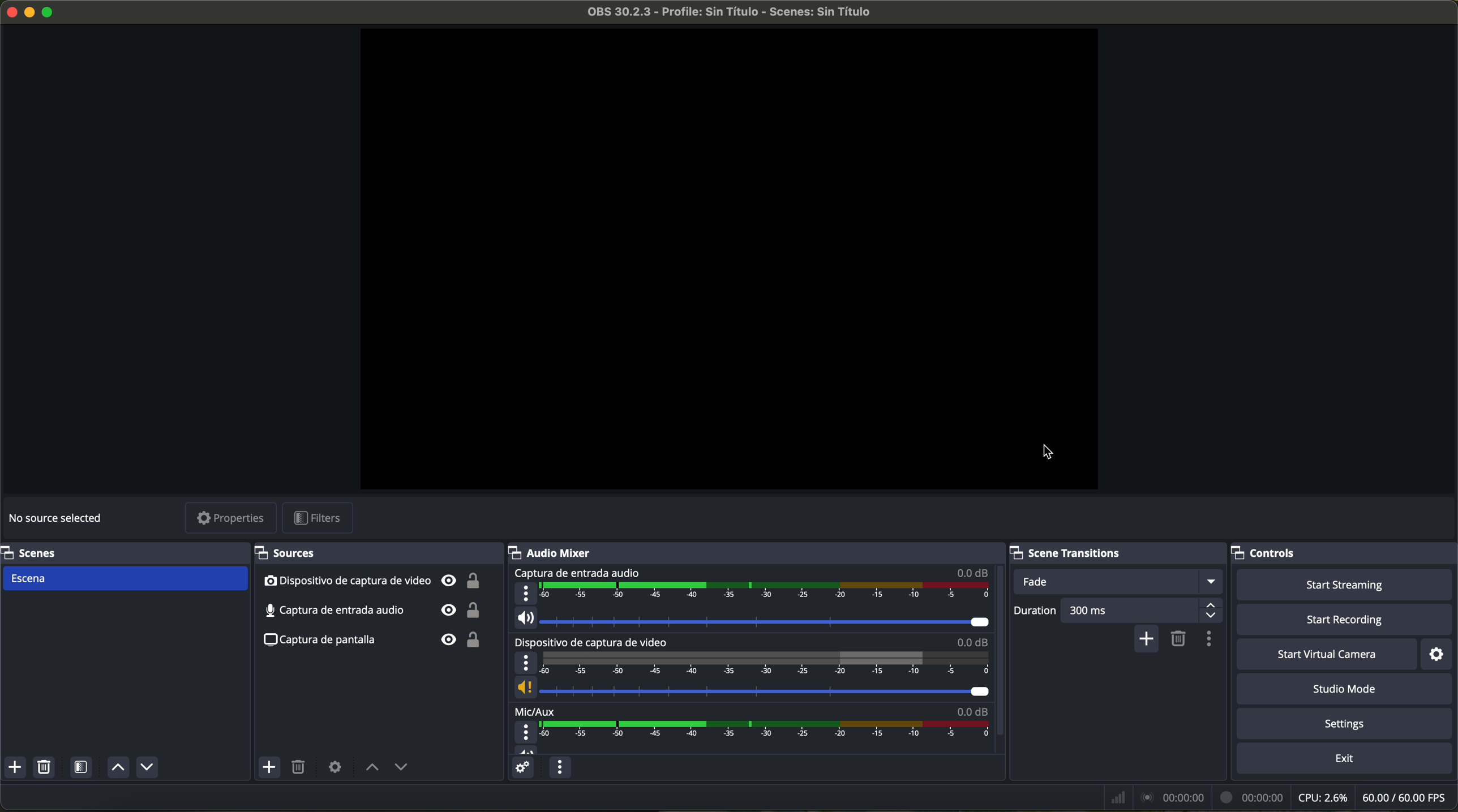 The width and height of the screenshot is (1458, 812). What do you see at coordinates (374, 553) in the screenshot?
I see `sources` at bounding box center [374, 553].